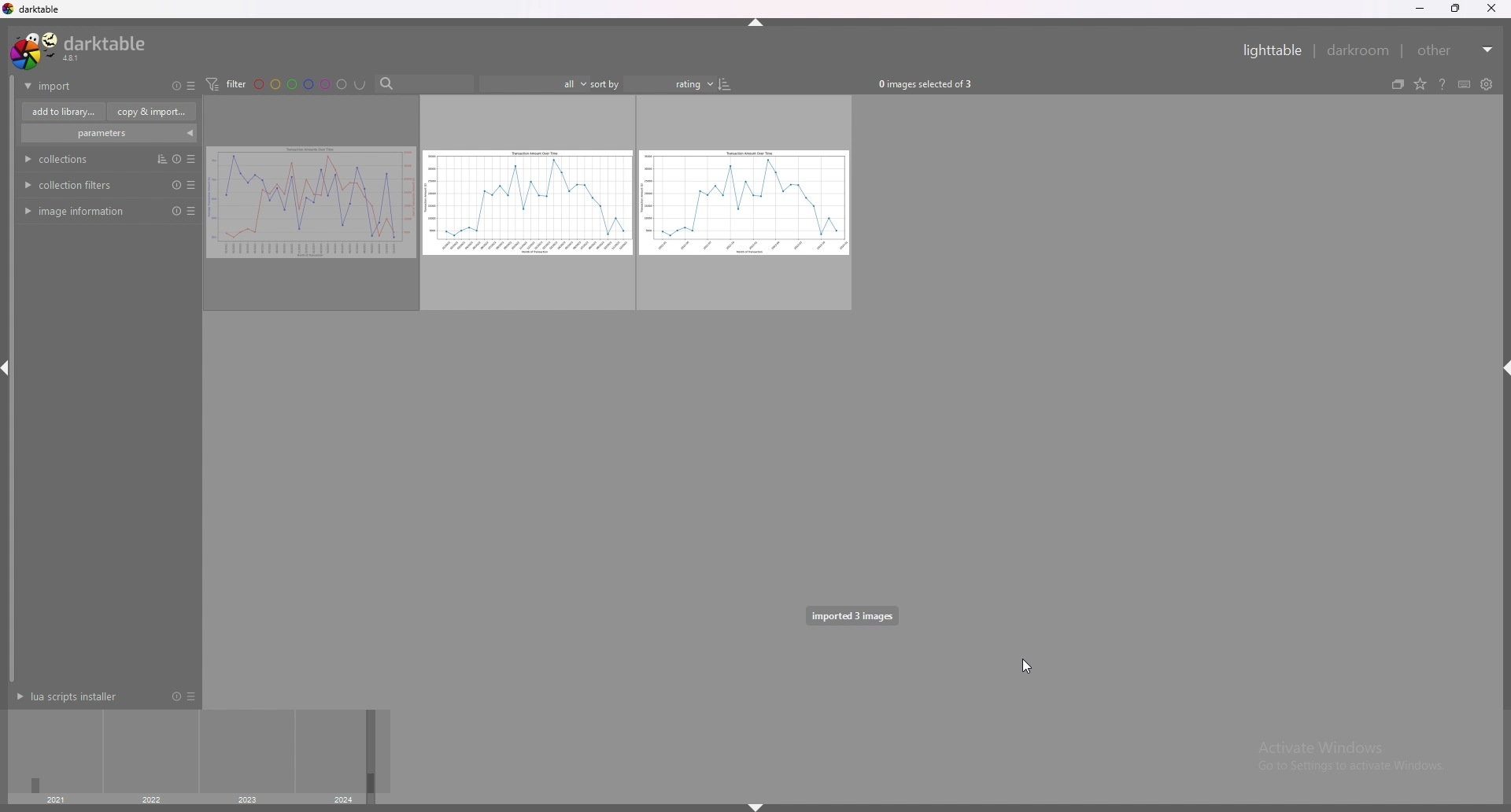  Describe the element at coordinates (177, 87) in the screenshot. I see `reset` at that location.